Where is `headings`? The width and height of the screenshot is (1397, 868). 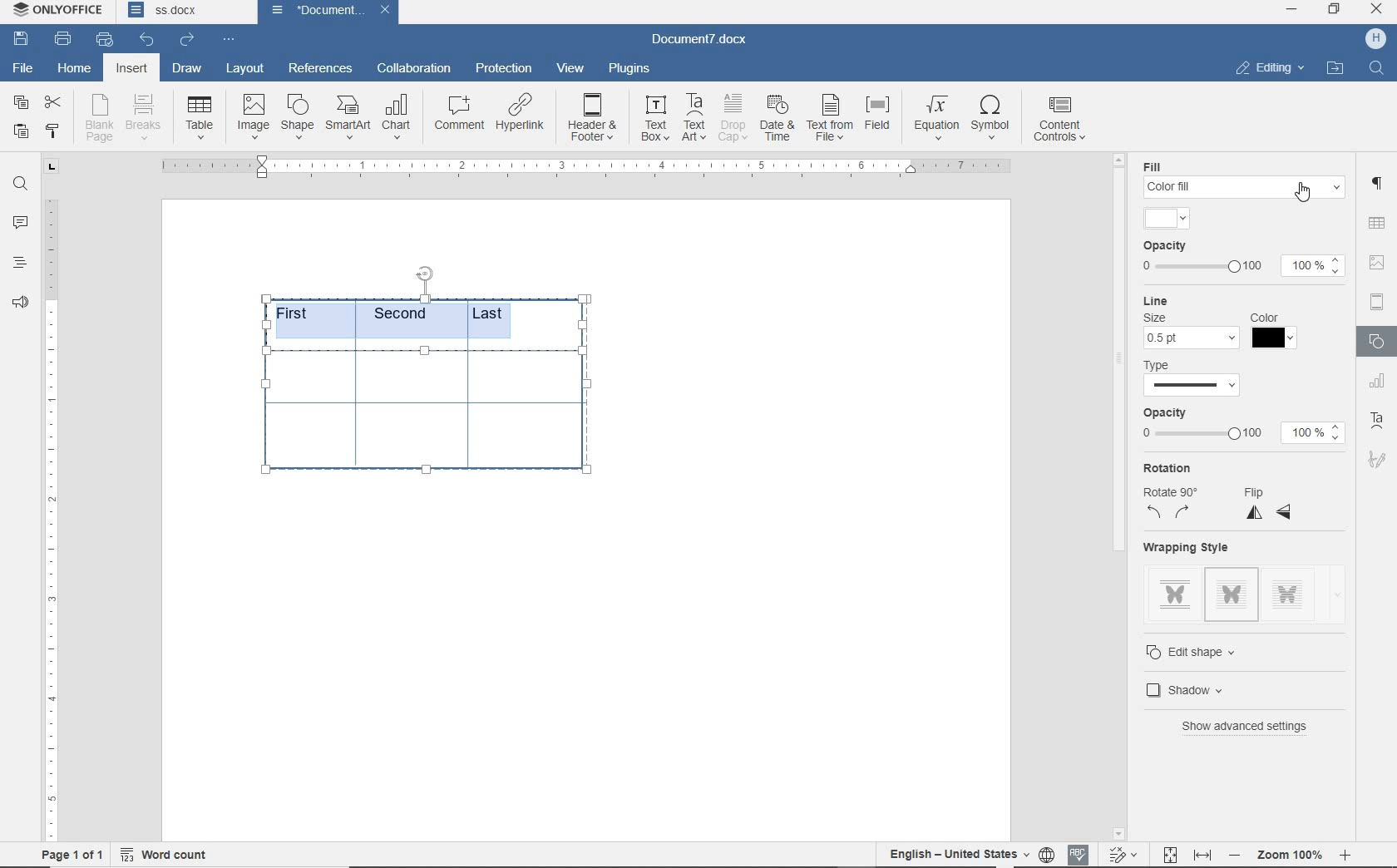 headings is located at coordinates (19, 264).